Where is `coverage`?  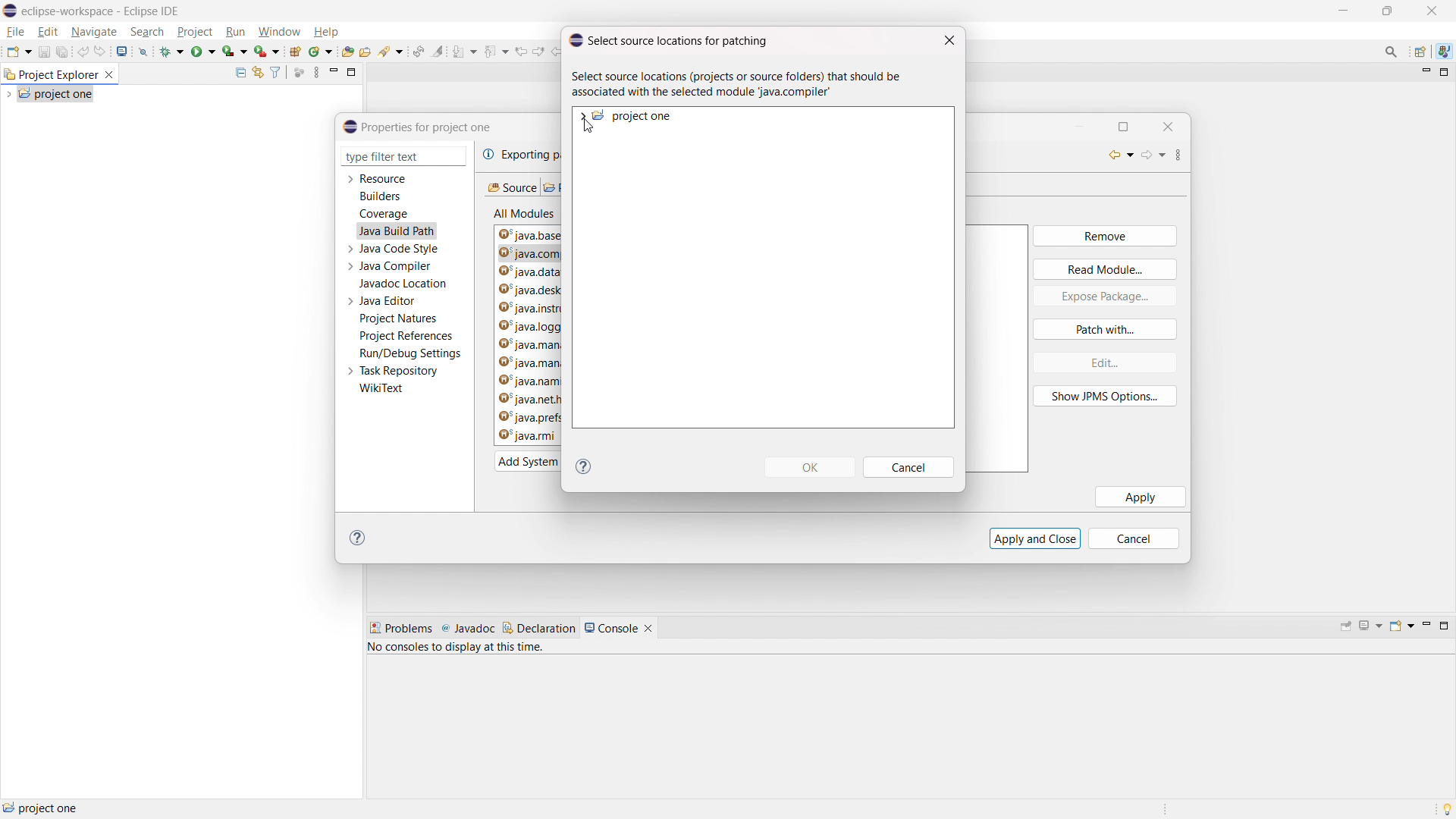
coverage is located at coordinates (235, 51).